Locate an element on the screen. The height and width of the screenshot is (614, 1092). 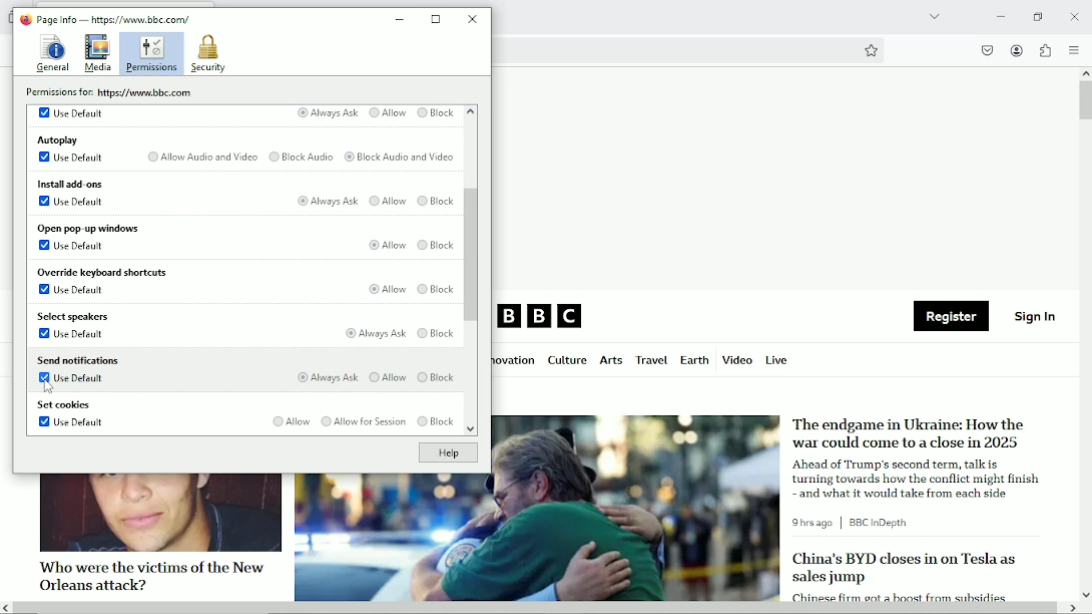
Block is located at coordinates (437, 245).